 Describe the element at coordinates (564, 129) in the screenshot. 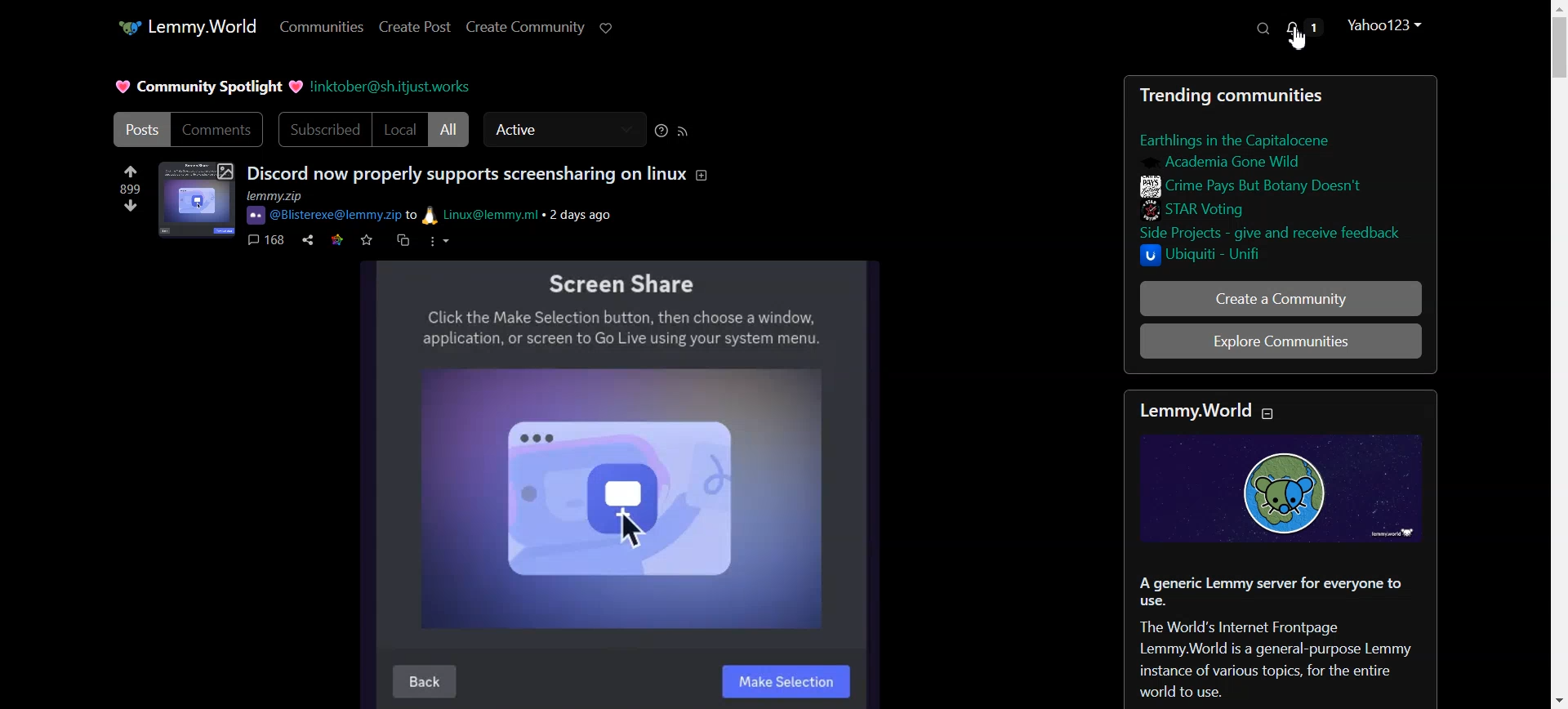

I see `Active` at that location.